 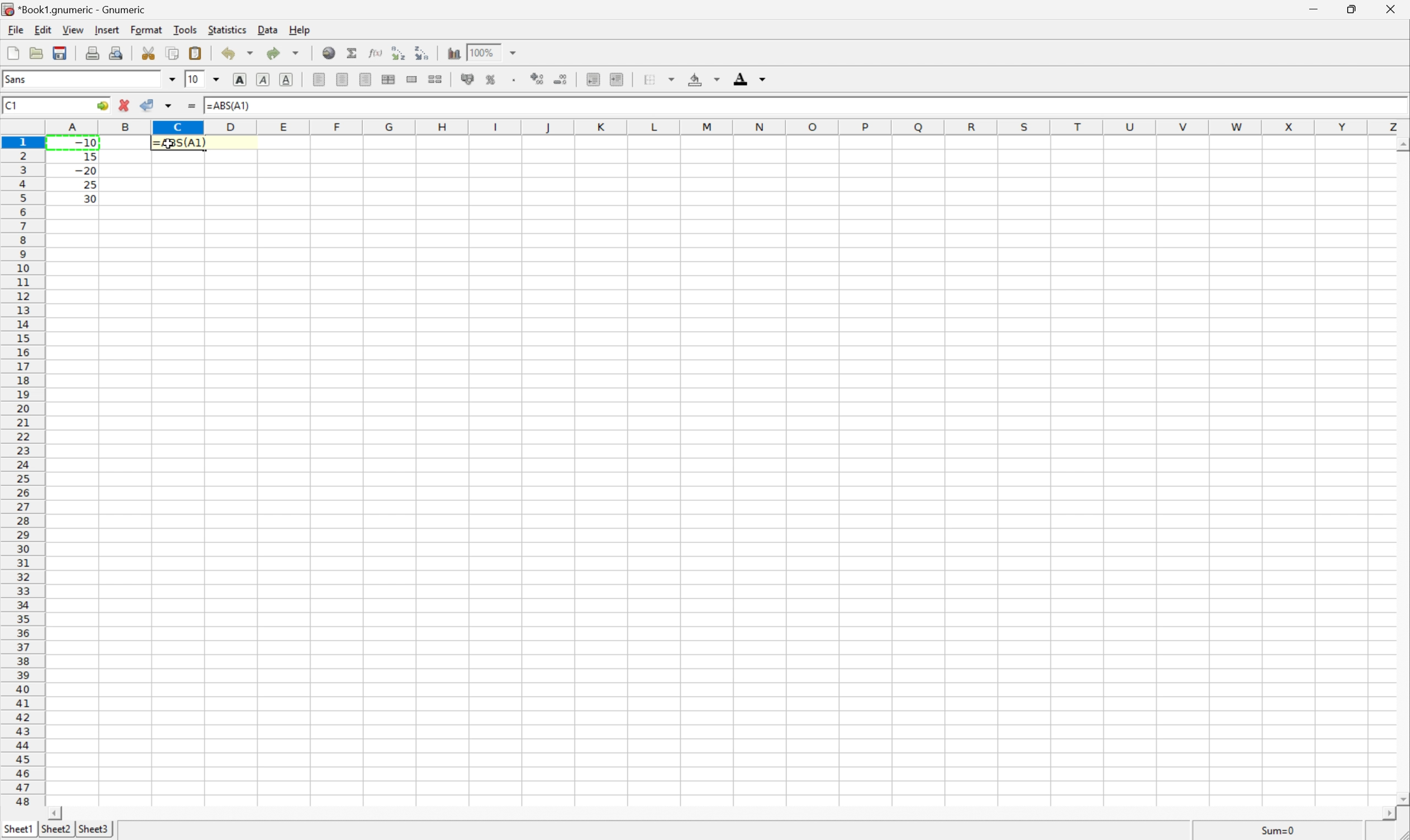 I want to click on Column names, so click(x=728, y=126).